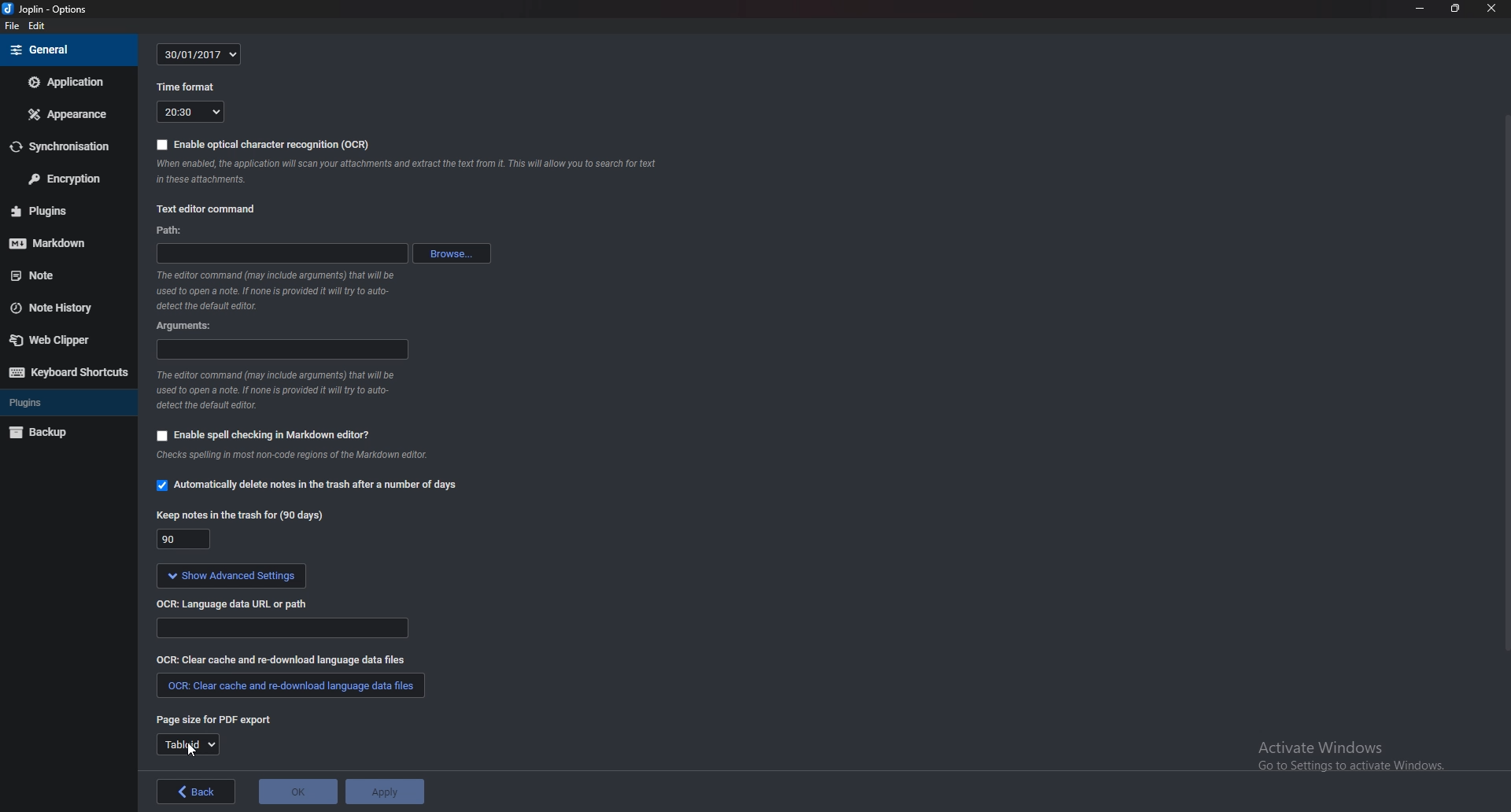 This screenshot has width=1511, height=812. I want to click on Keyboard shortcuts, so click(68, 372).